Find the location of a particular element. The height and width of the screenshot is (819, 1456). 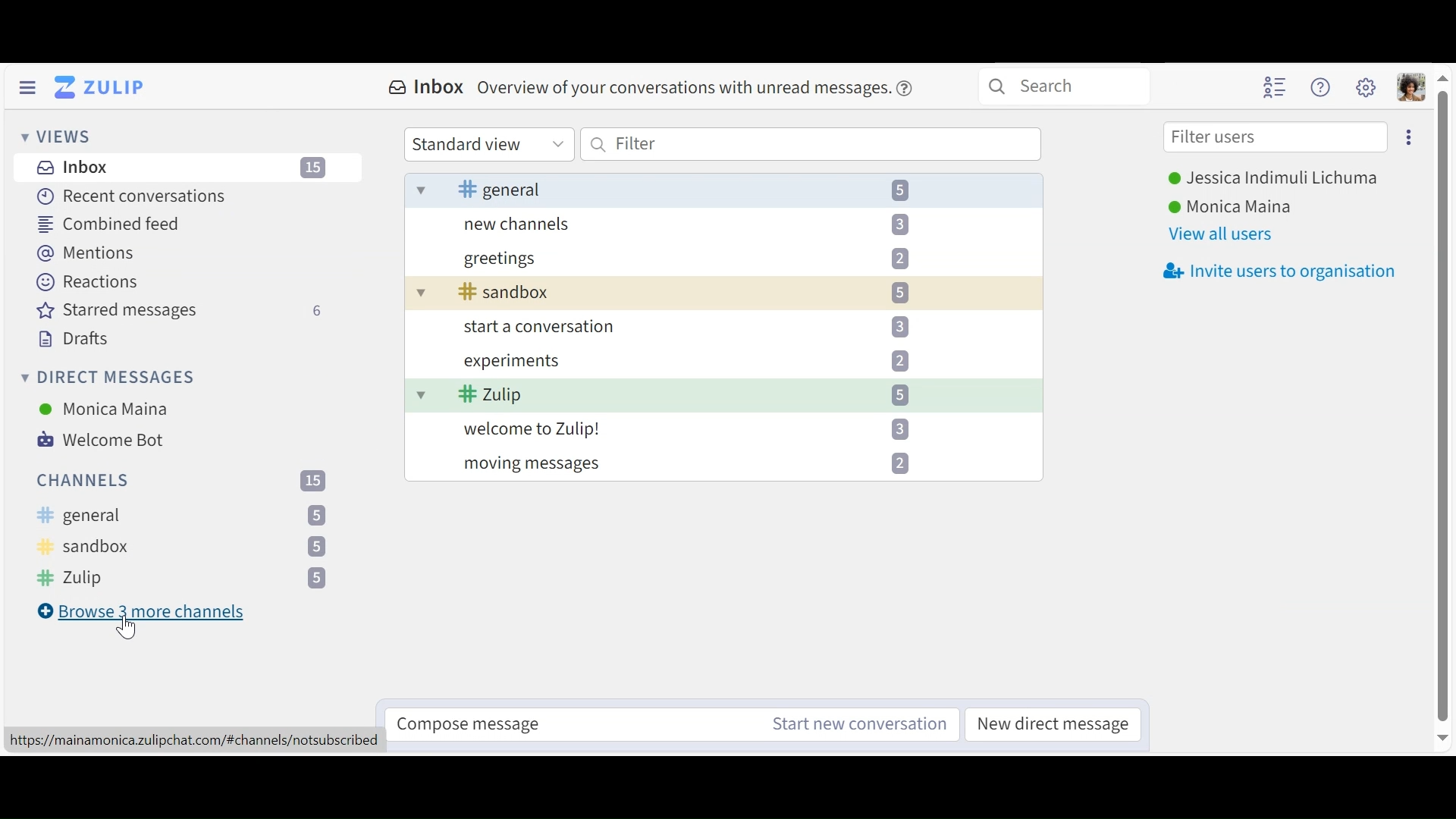

Filter users is located at coordinates (1275, 137).